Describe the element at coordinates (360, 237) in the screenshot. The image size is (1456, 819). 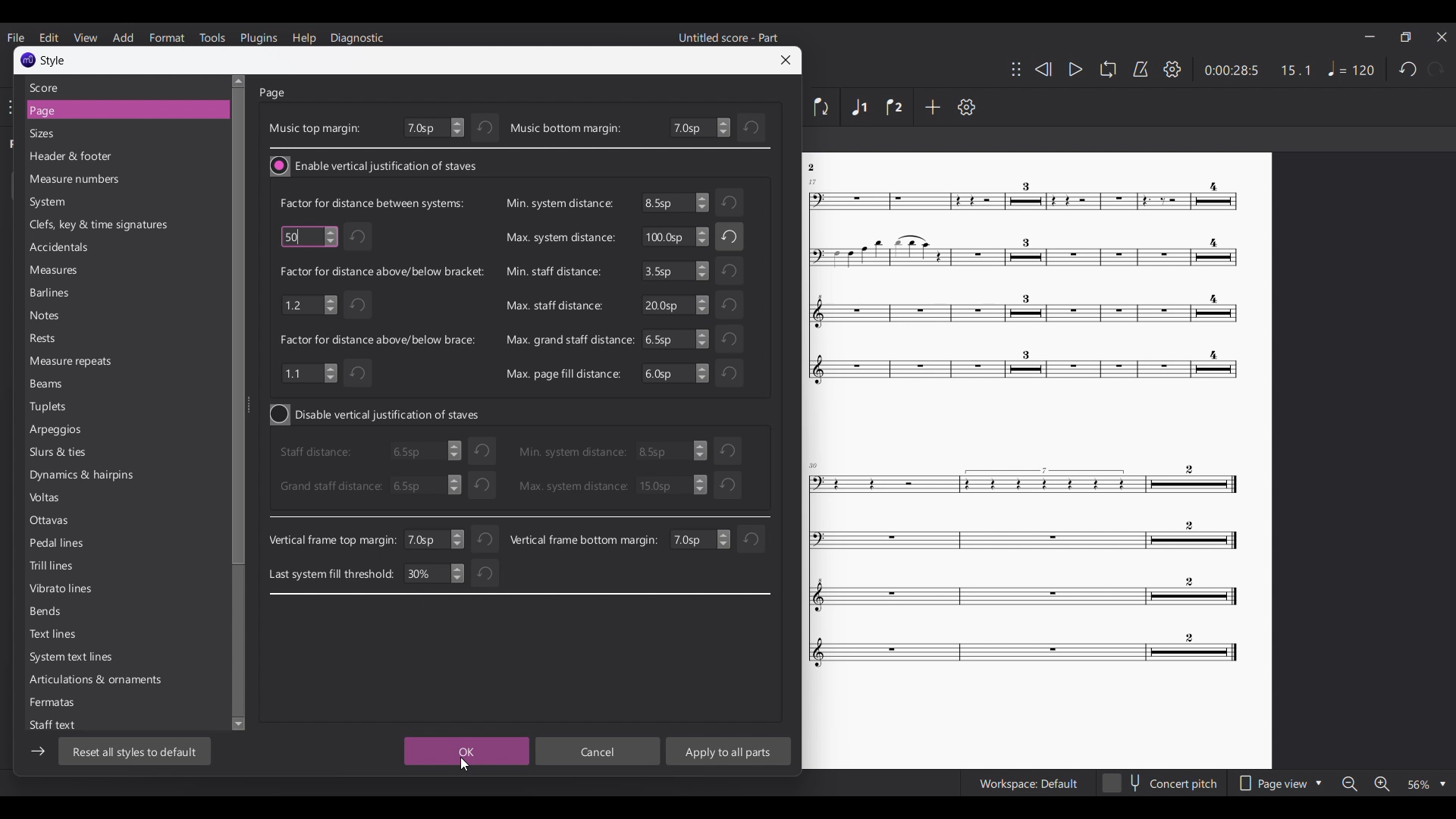
I see `Undo` at that location.